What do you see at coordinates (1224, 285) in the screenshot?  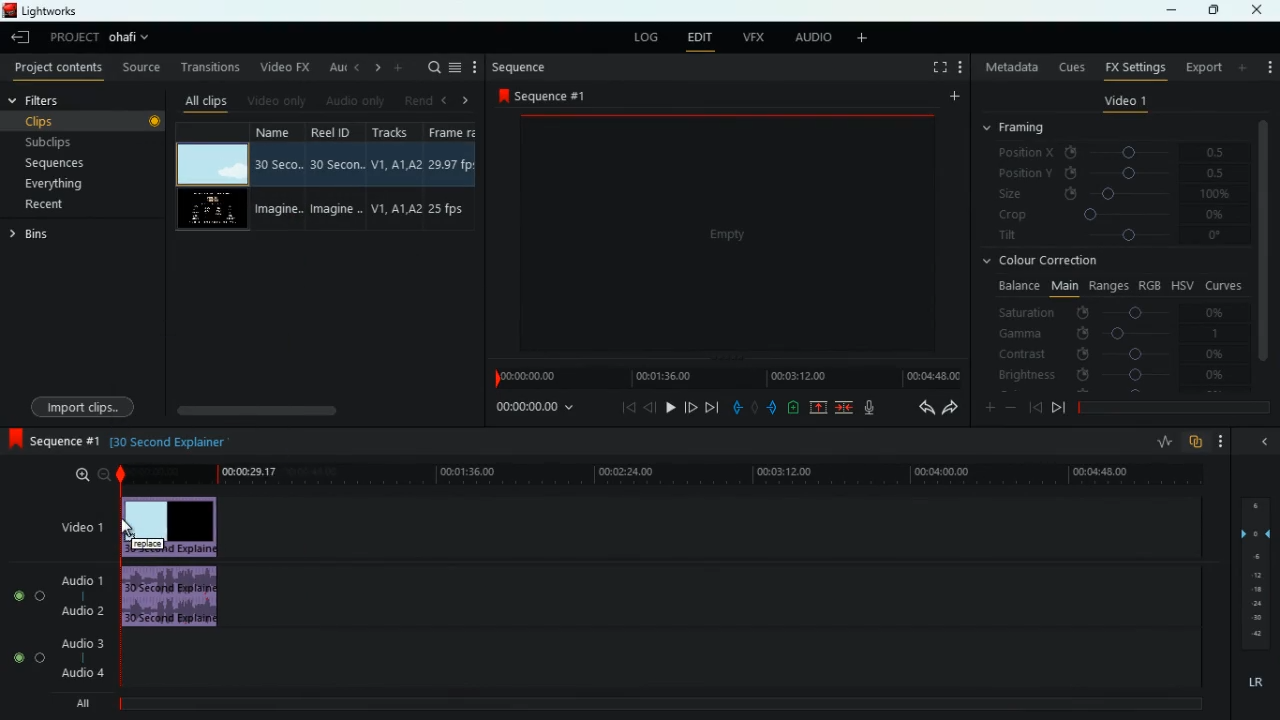 I see `curves` at bounding box center [1224, 285].